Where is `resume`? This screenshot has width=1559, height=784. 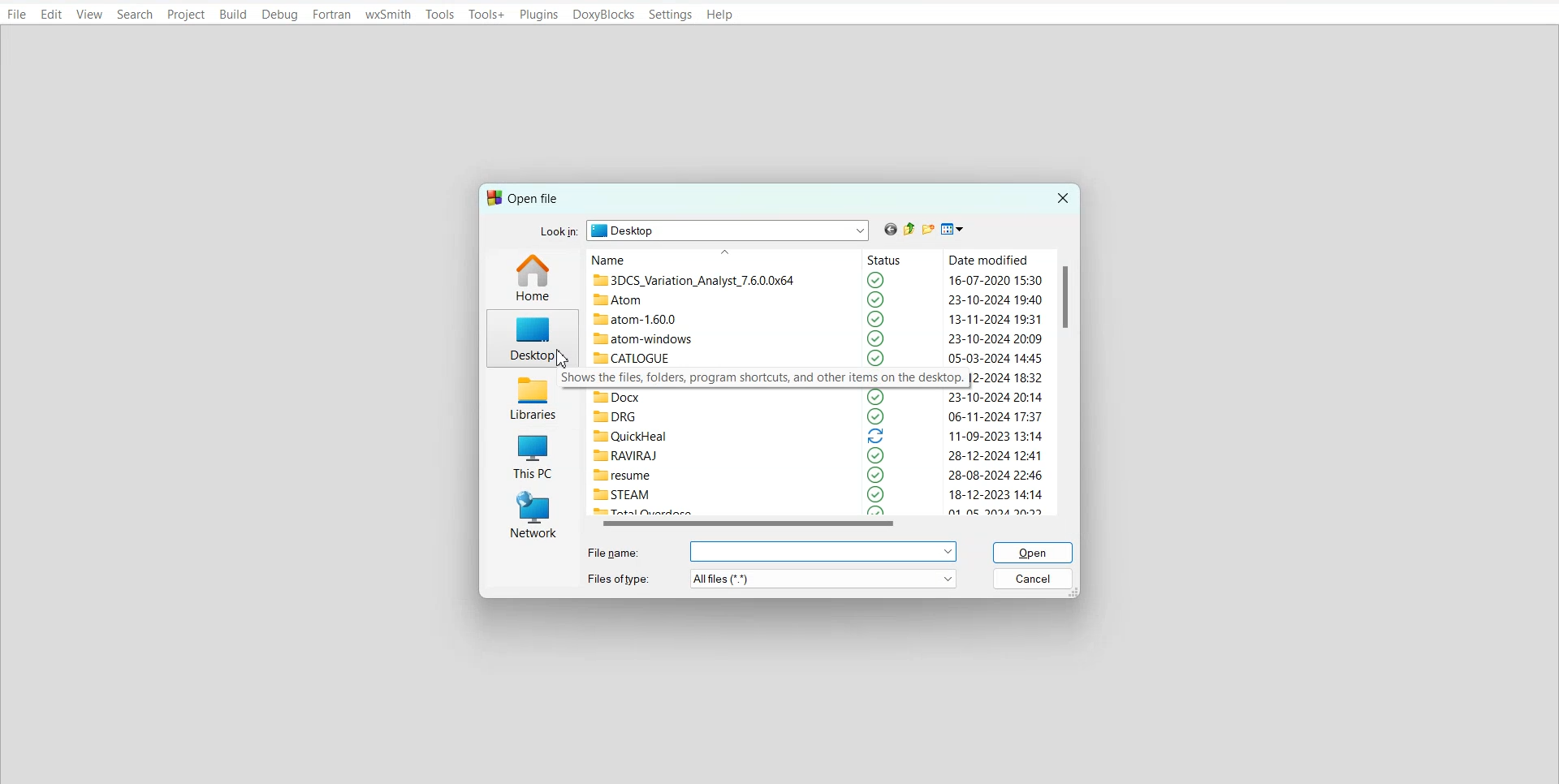 resume is located at coordinates (625, 475).